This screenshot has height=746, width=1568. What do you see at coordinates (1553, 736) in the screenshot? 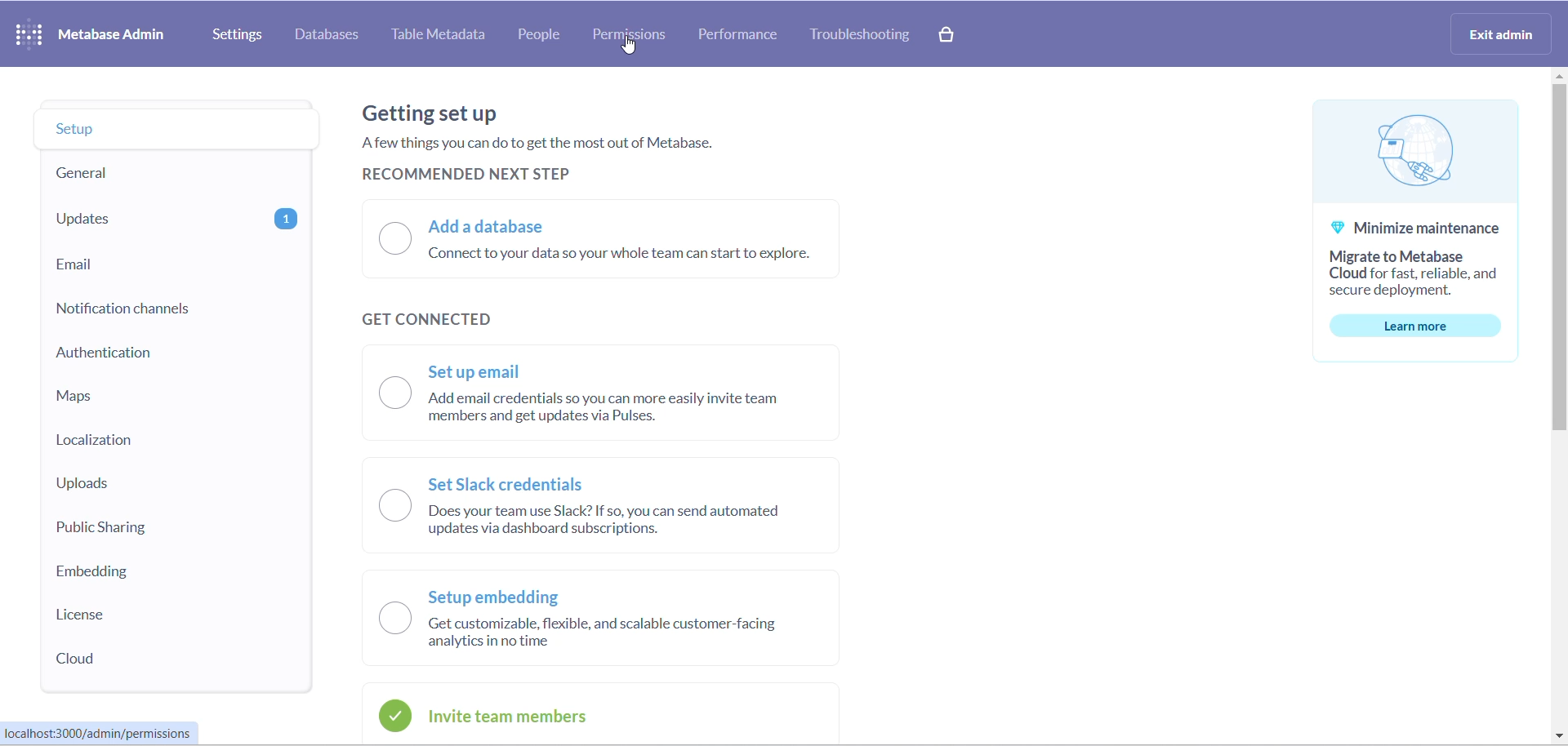
I see `move down` at bounding box center [1553, 736].